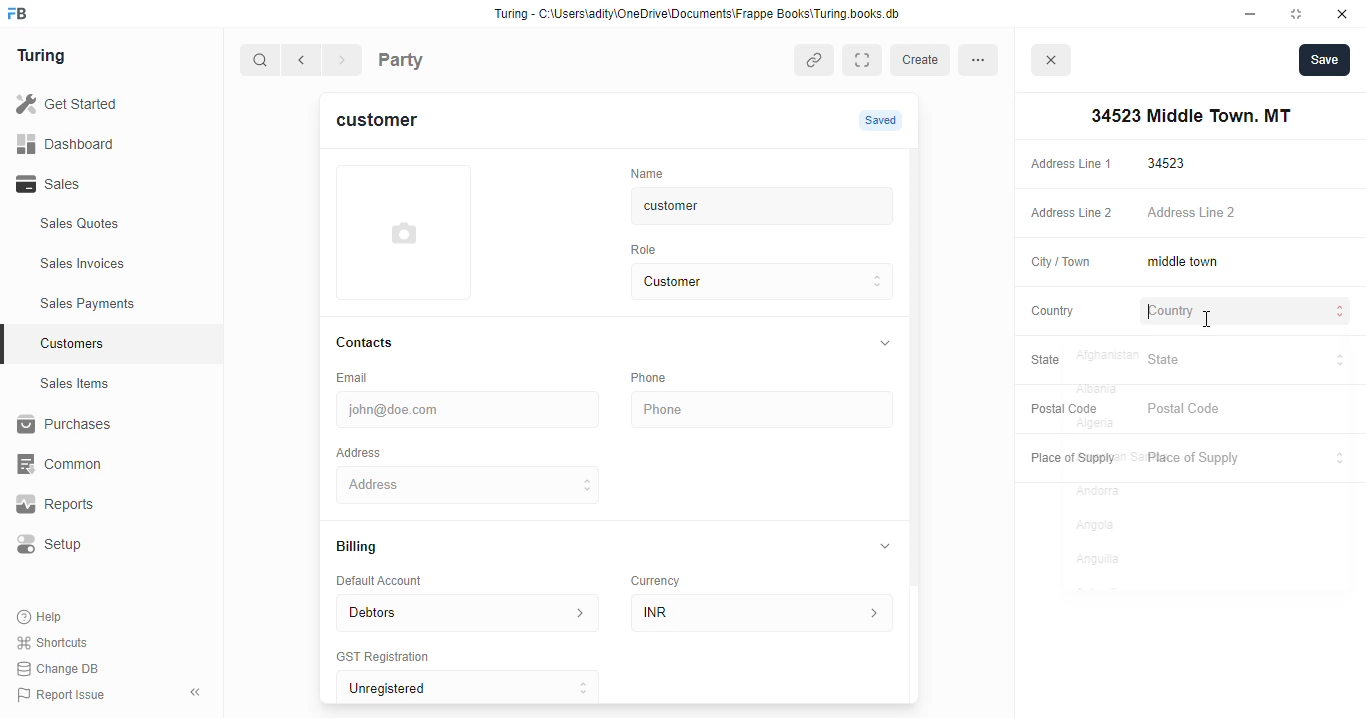  Describe the element at coordinates (117, 264) in the screenshot. I see `Sales Invoices` at that location.